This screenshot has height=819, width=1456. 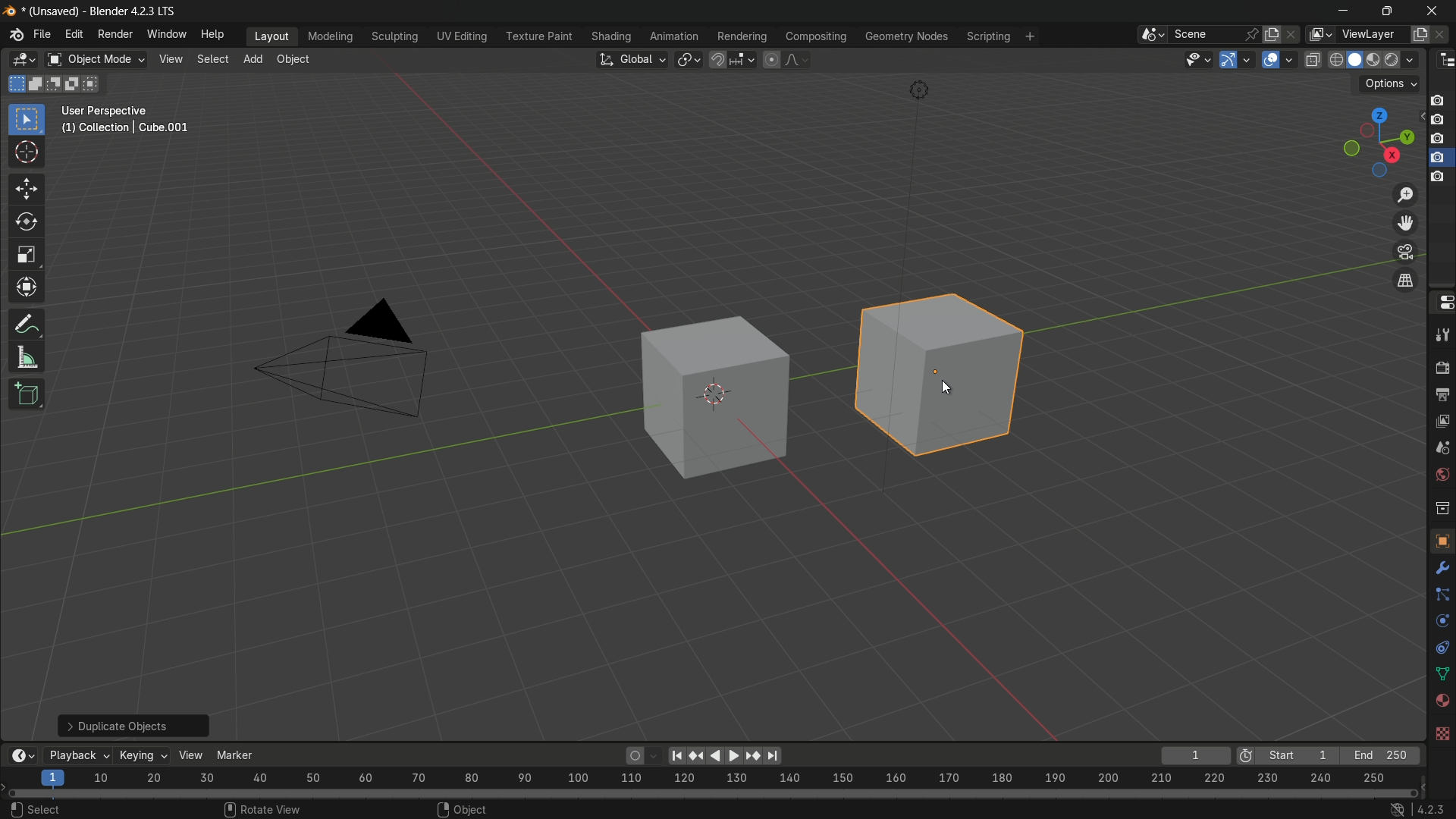 I want to click on 3D viewport, so click(x=24, y=61).